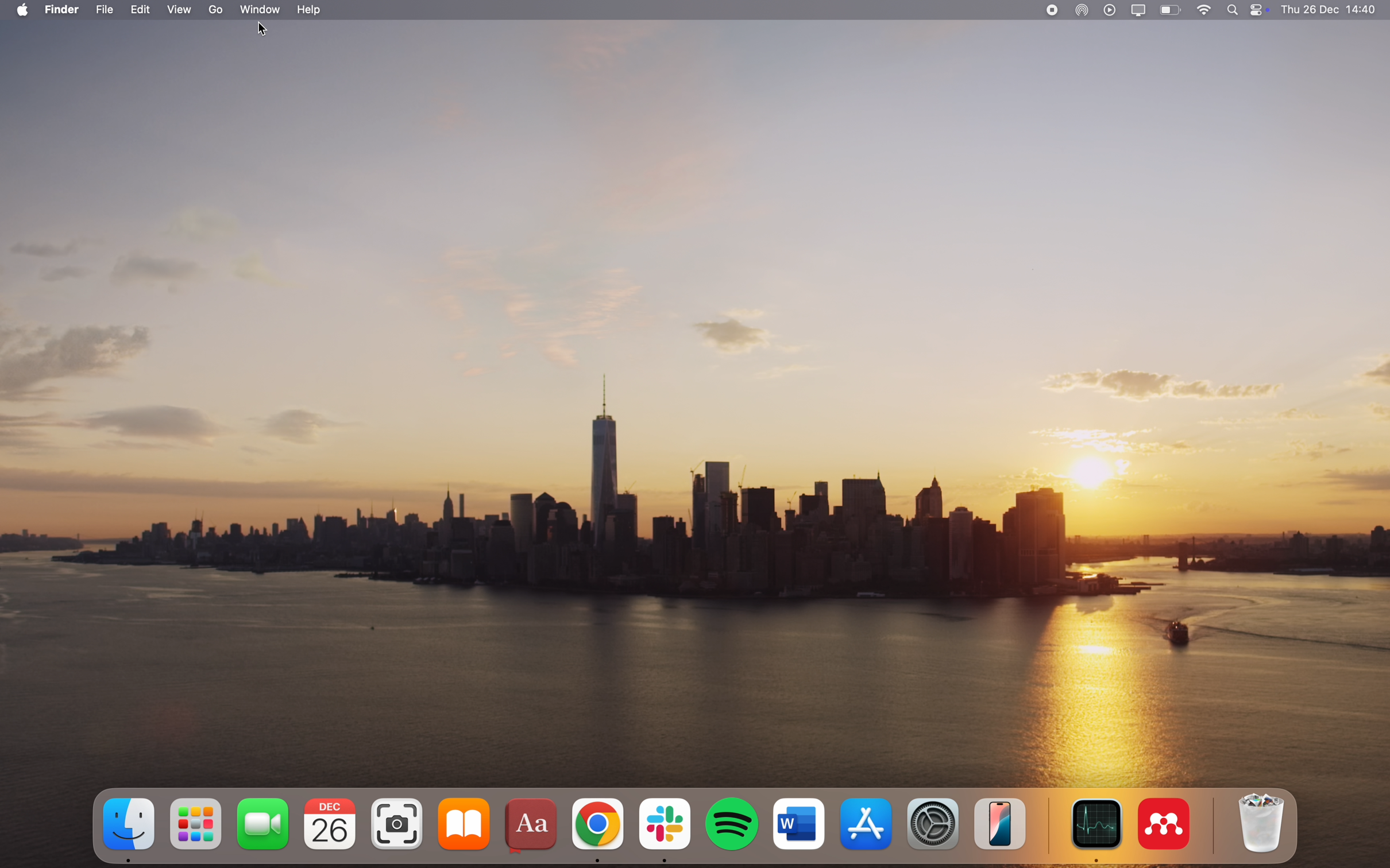  Describe the element at coordinates (1261, 10) in the screenshot. I see `screen controls` at that location.